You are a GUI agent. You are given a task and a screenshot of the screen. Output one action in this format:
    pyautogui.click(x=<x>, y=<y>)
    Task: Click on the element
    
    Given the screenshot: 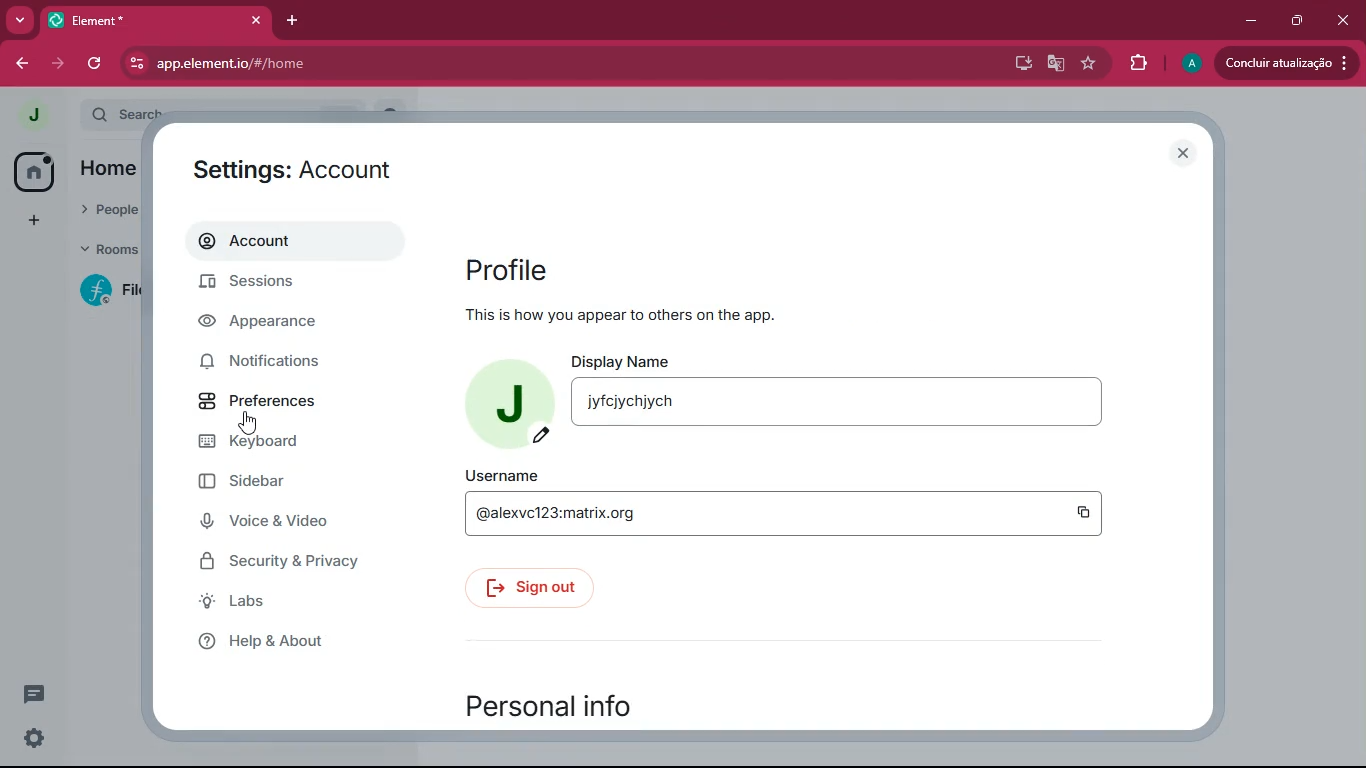 What is the action you would take?
    pyautogui.click(x=159, y=20)
    